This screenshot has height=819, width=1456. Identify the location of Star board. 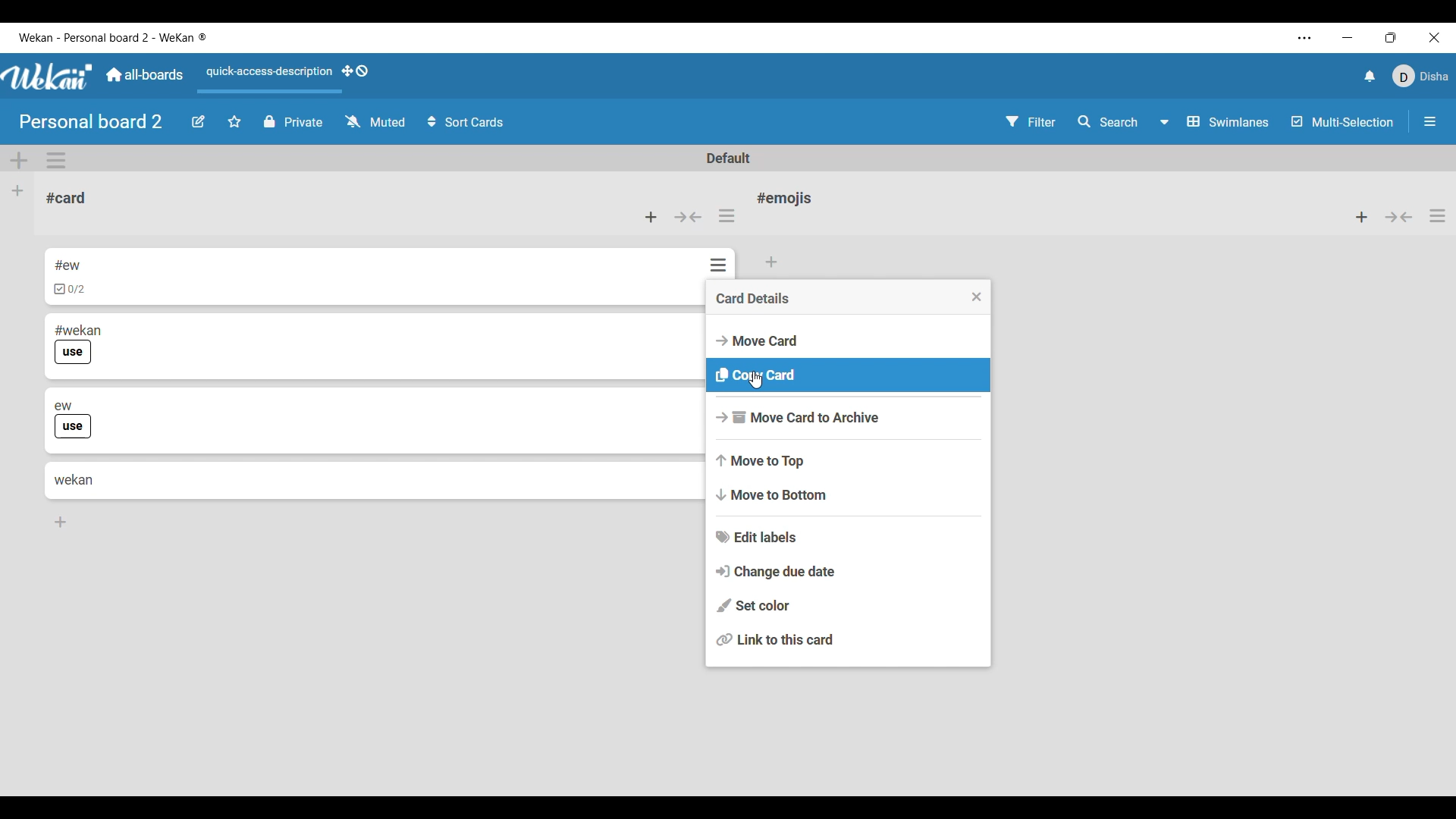
(234, 121).